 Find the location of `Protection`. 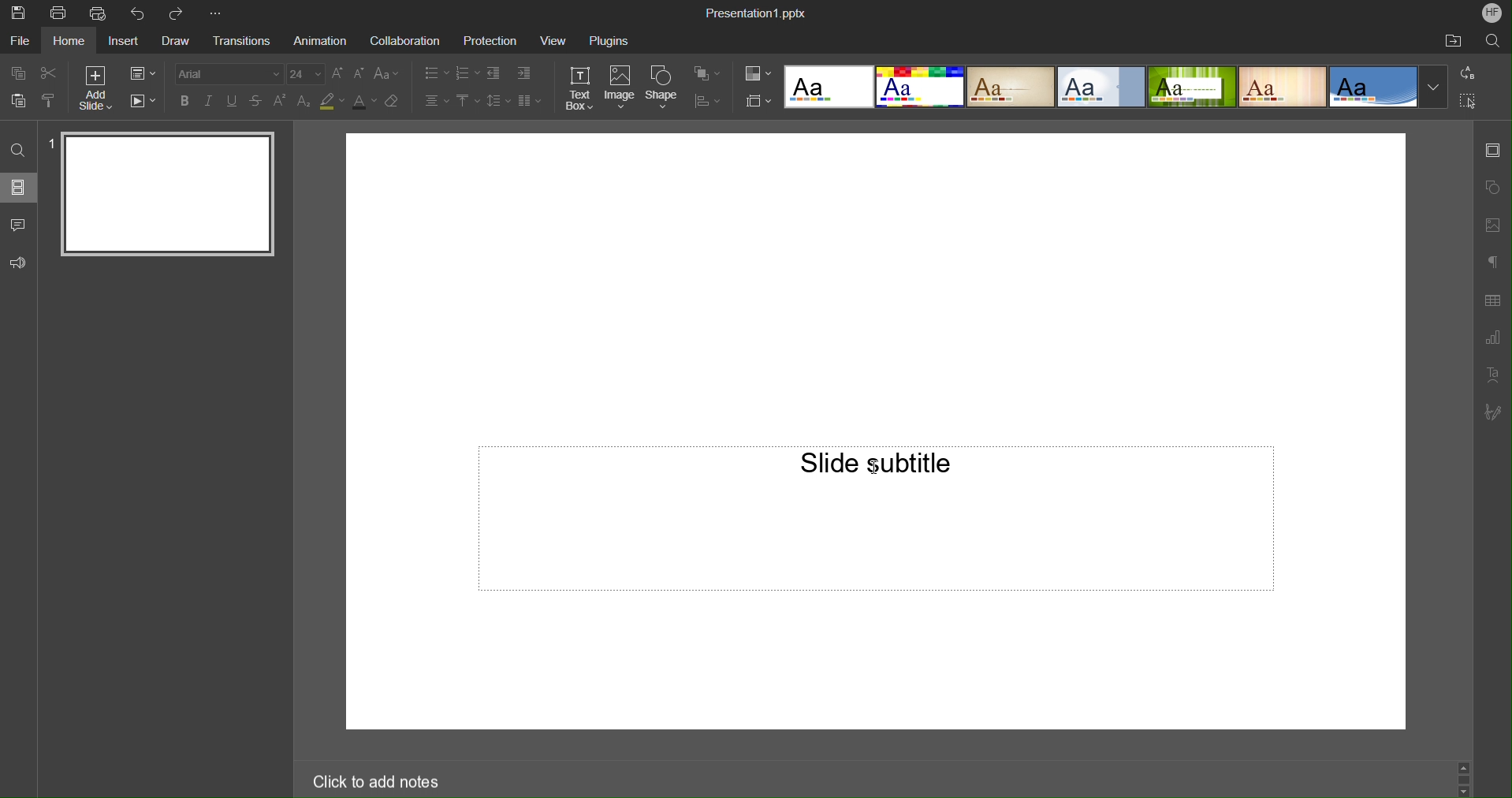

Protection is located at coordinates (486, 41).